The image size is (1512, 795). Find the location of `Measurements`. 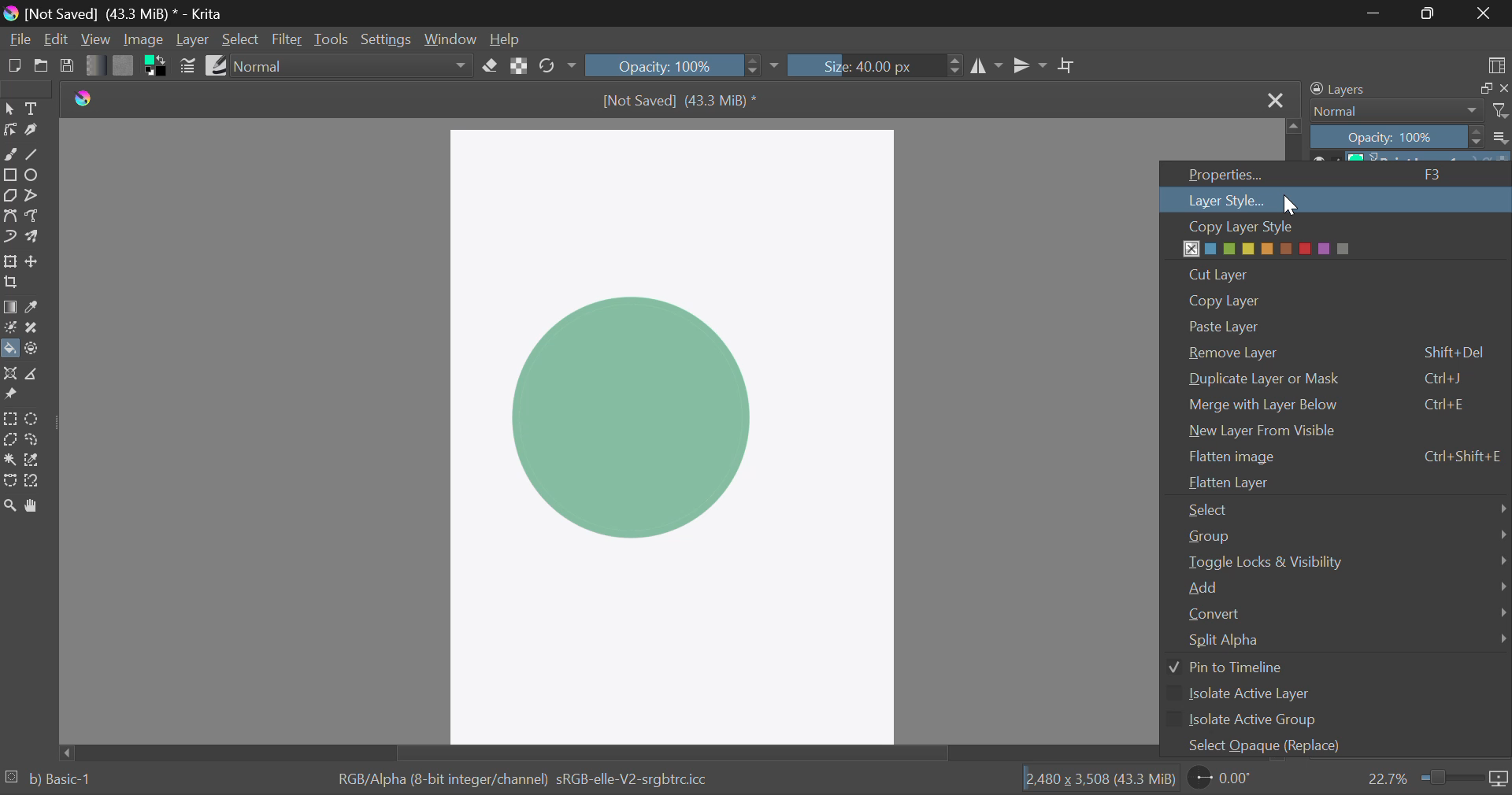

Measurements is located at coordinates (34, 373).